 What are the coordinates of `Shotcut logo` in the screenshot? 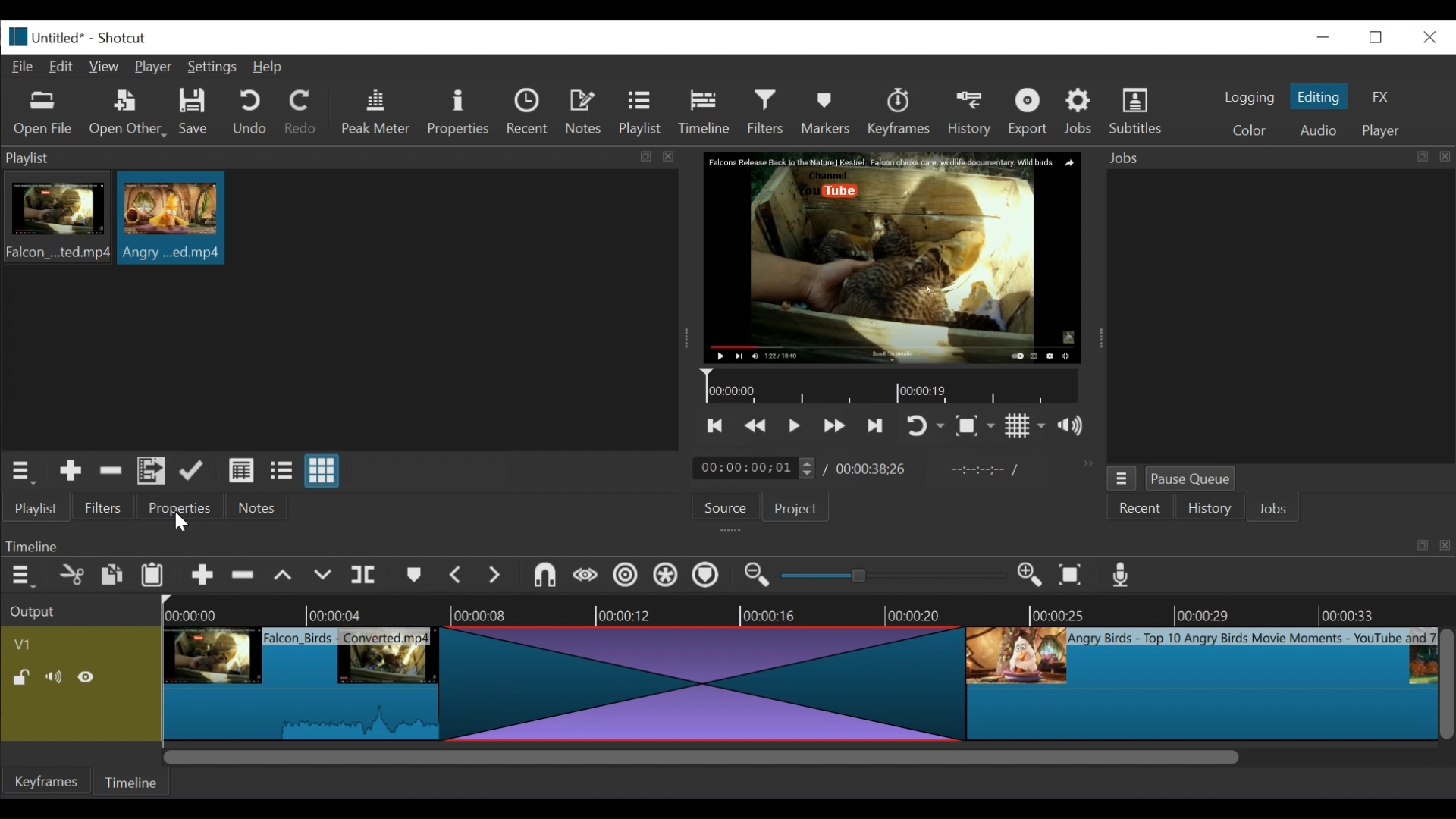 It's located at (14, 35).